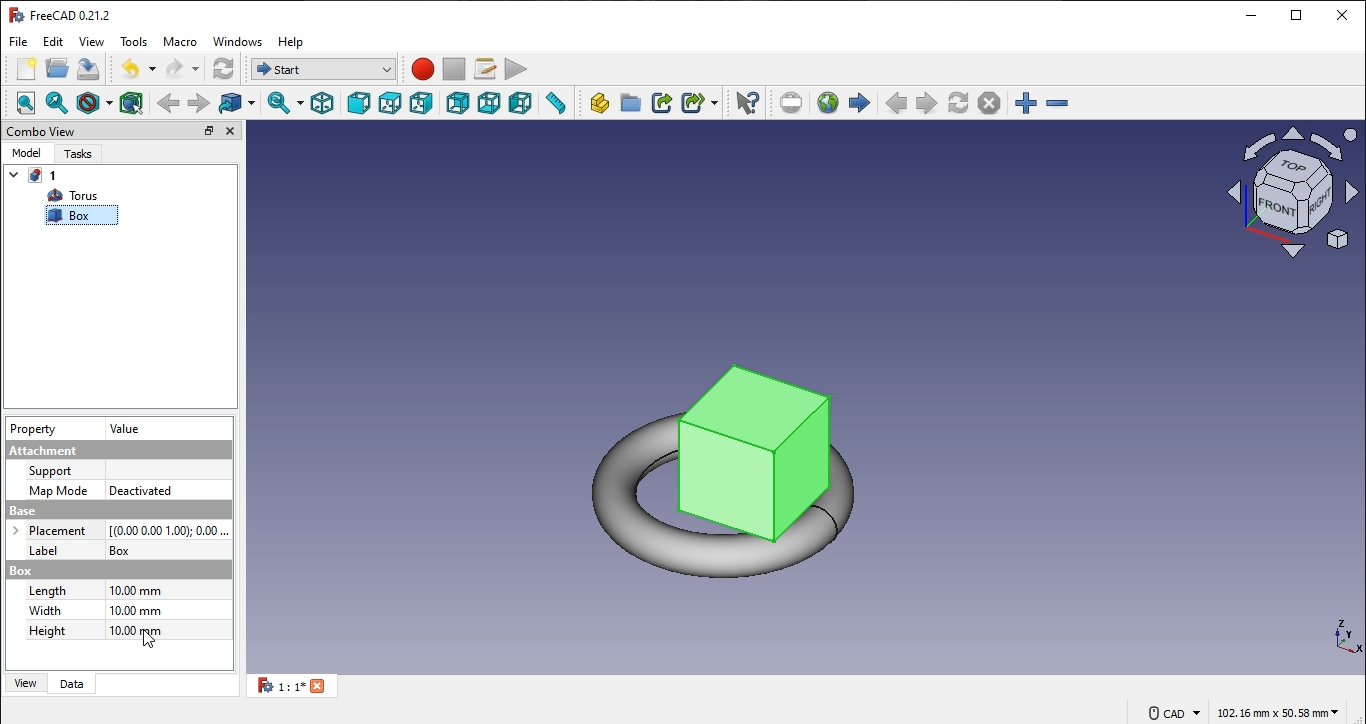 The image size is (1366, 724). I want to click on combo view, so click(42, 131).